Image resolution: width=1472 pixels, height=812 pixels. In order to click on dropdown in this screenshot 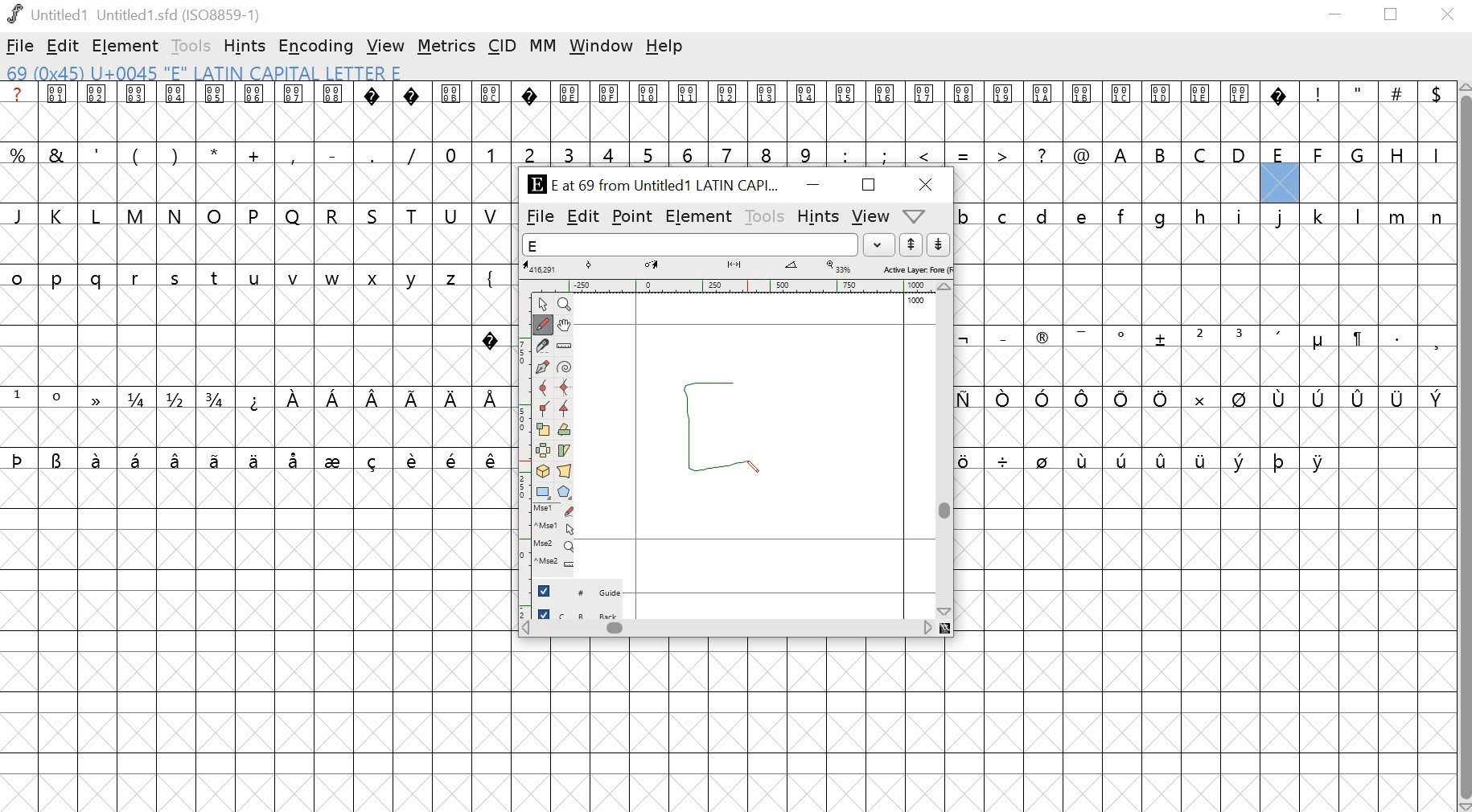, I will do `click(880, 244)`.